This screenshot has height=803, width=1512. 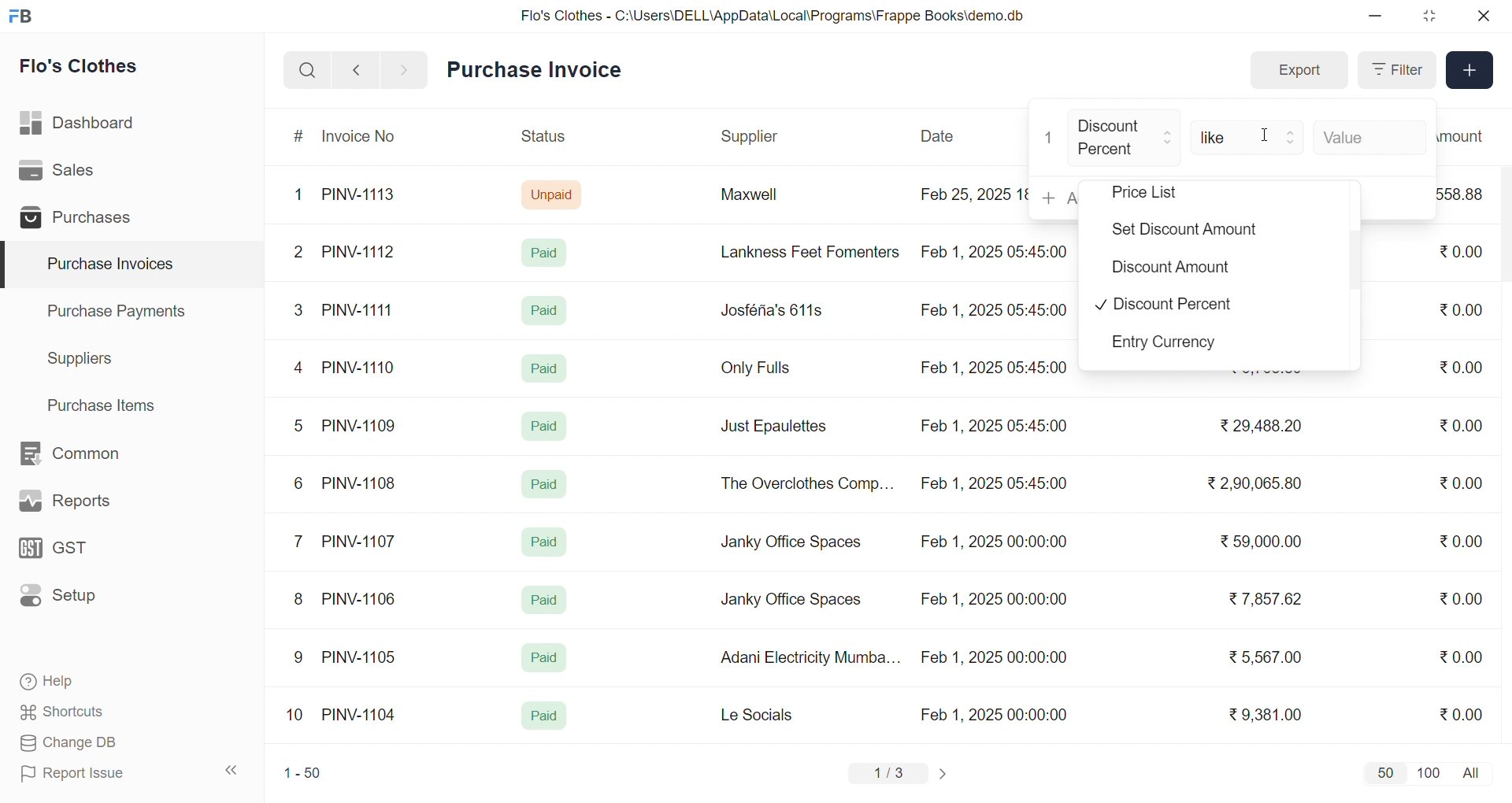 What do you see at coordinates (992, 312) in the screenshot?
I see `Feb 1, 2025 05:45:00` at bounding box center [992, 312].